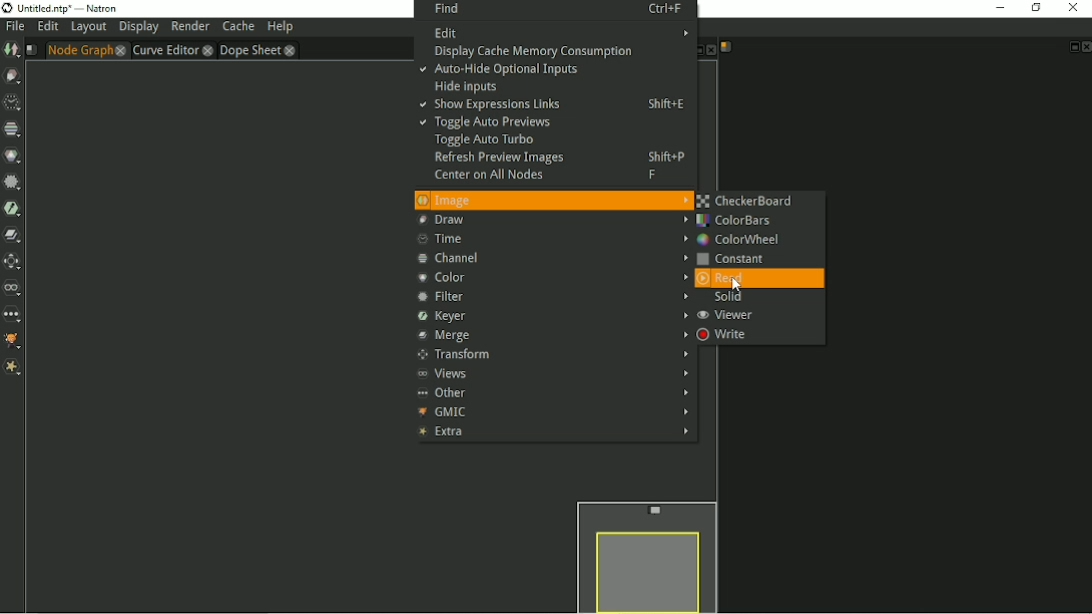  Describe the element at coordinates (14, 343) in the screenshot. I see `GMIC` at that location.